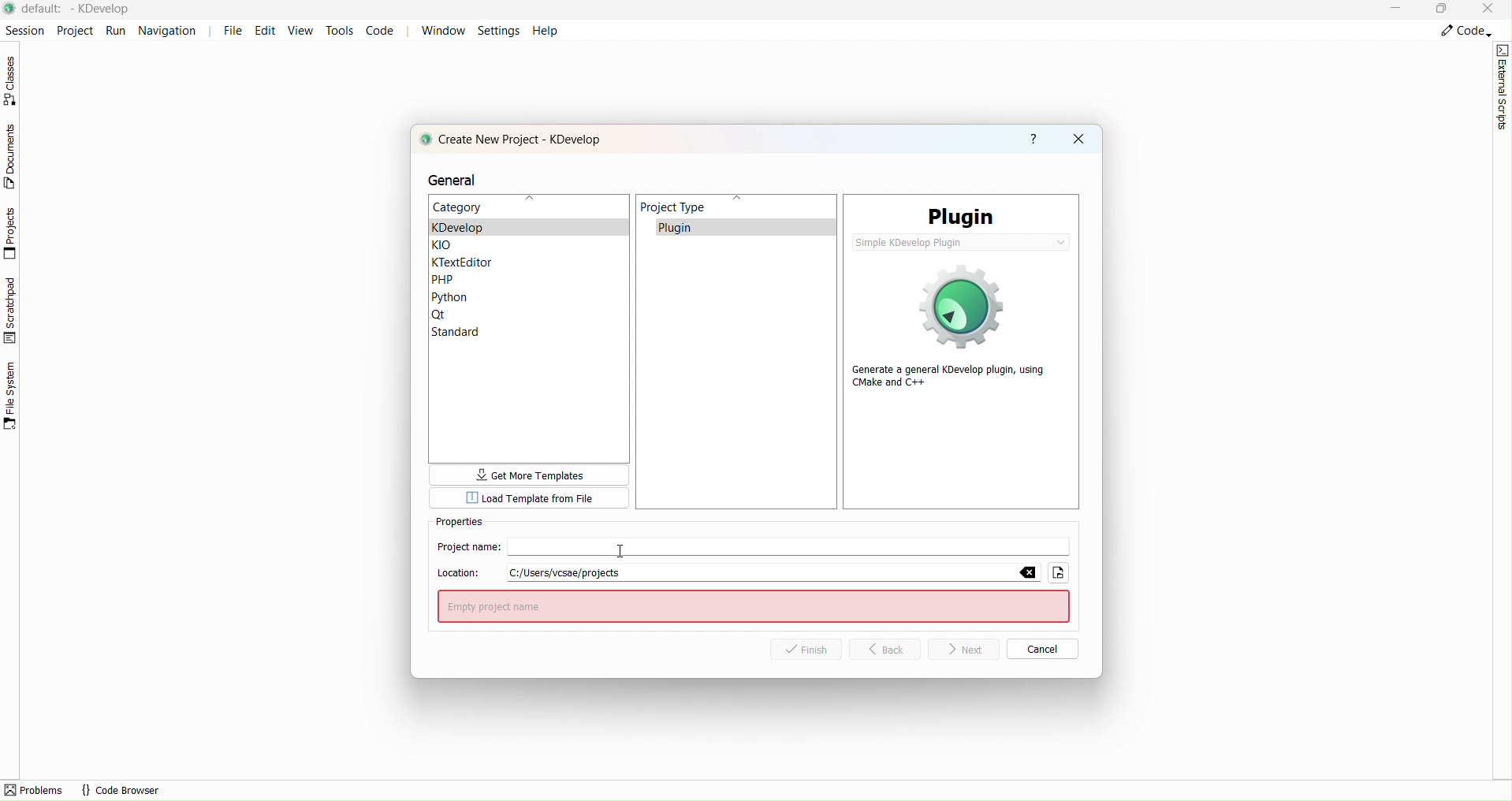 Image resolution: width=1512 pixels, height=801 pixels. I want to click on Edit, so click(269, 31).